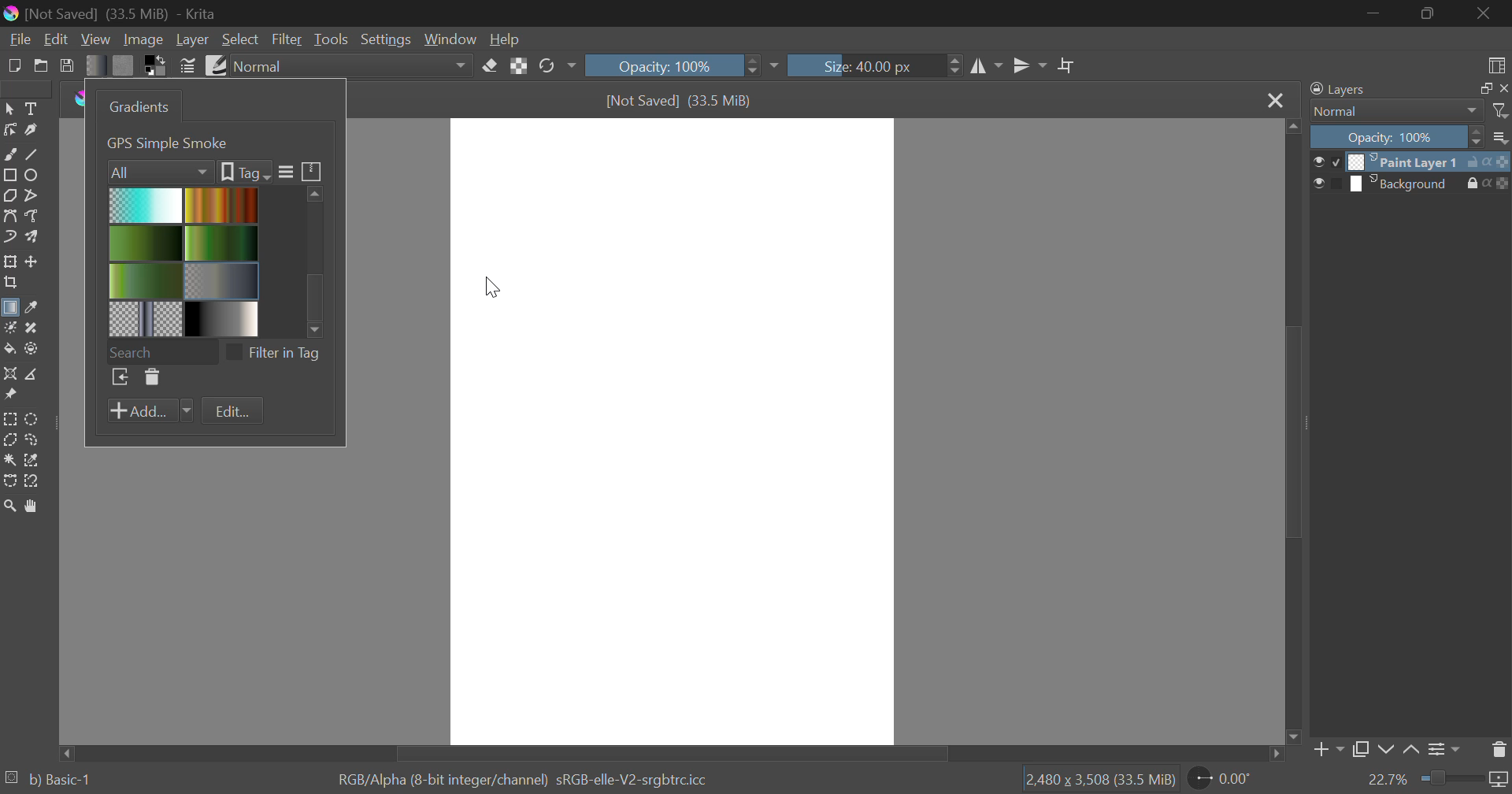 The image size is (1512, 794). Describe the element at coordinates (557, 67) in the screenshot. I see `Rotate` at that location.